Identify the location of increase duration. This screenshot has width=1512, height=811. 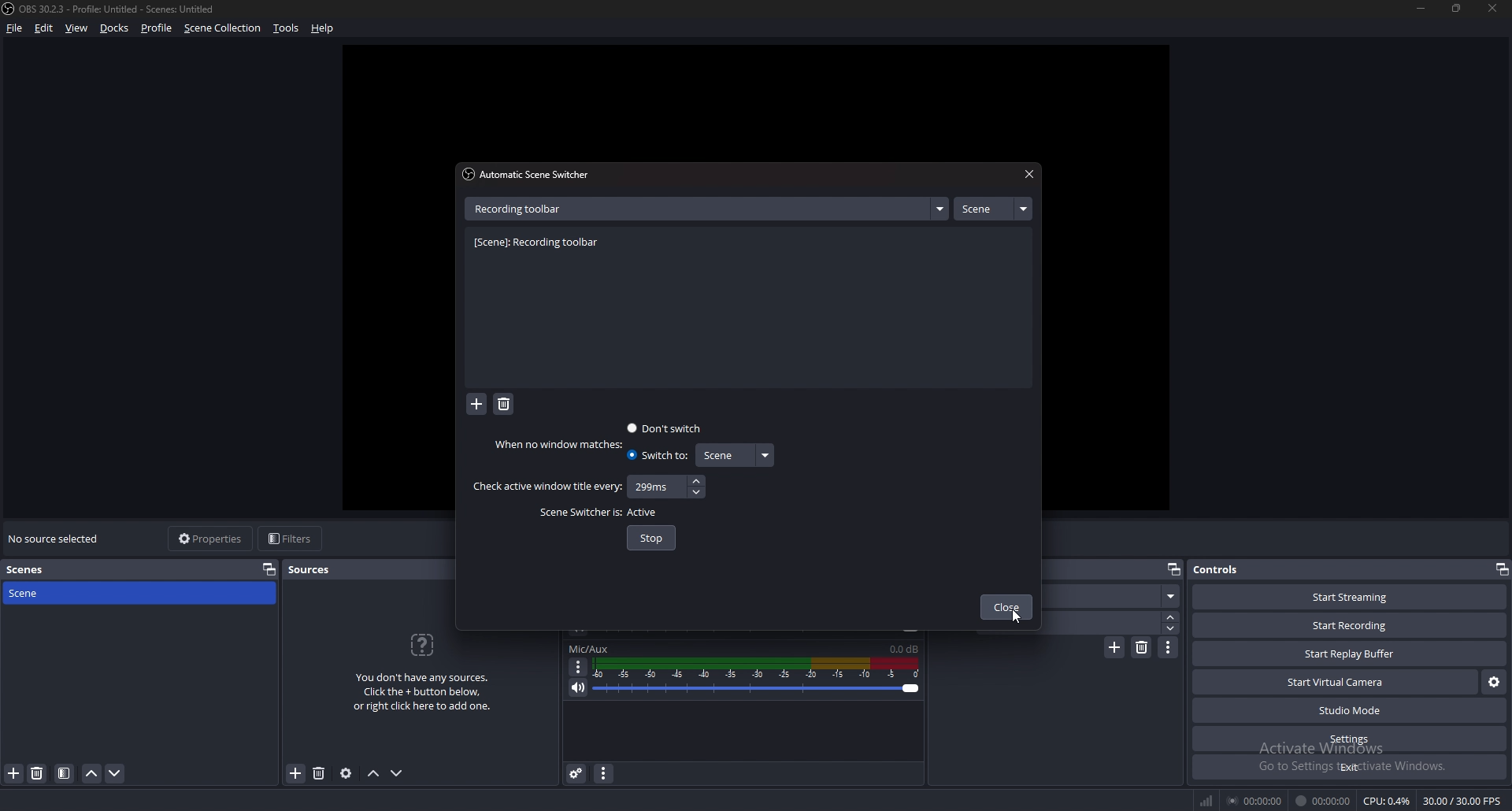
(1172, 616).